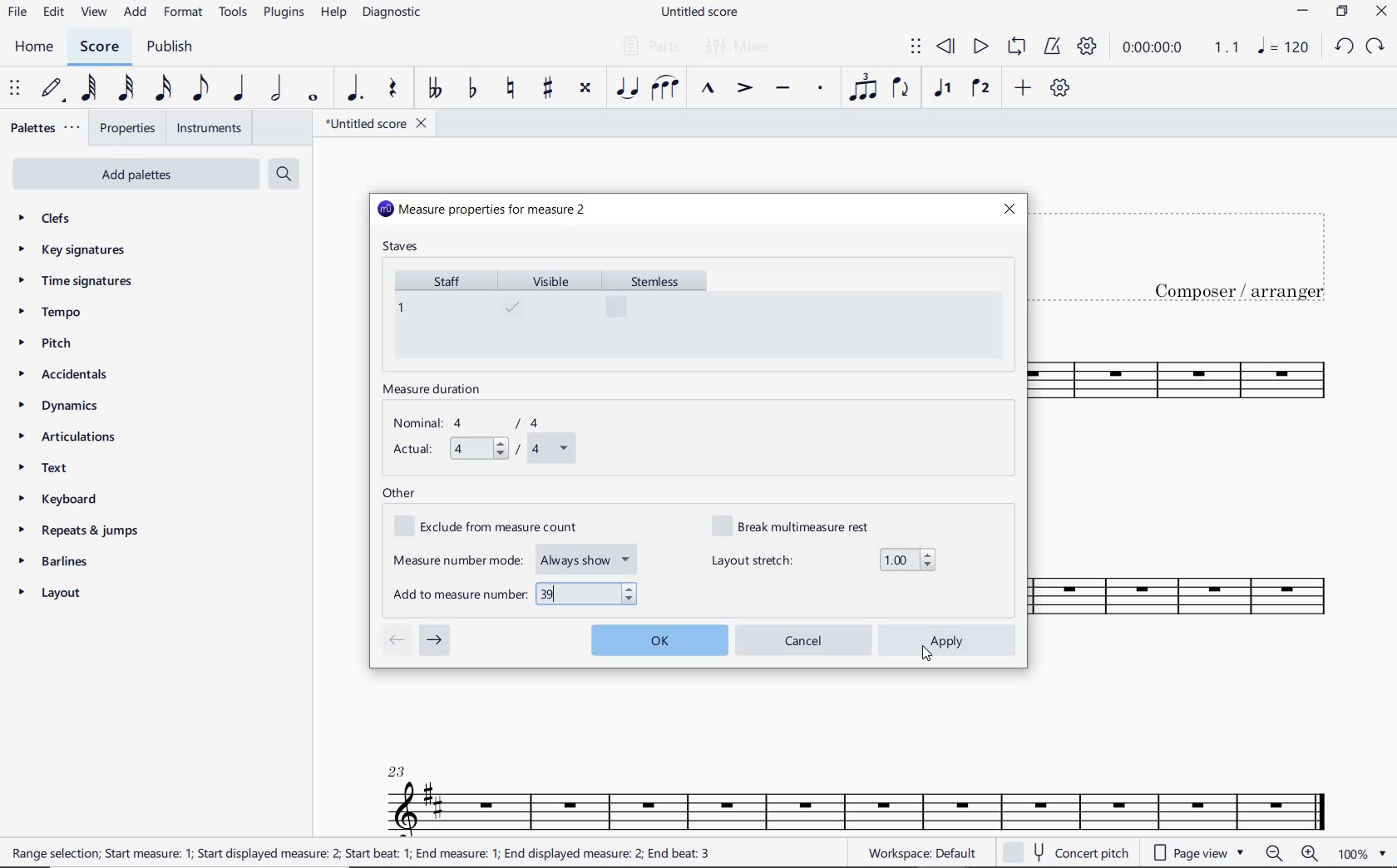 This screenshot has width=1397, height=868. Describe the element at coordinates (185, 13) in the screenshot. I see `FORMAT` at that location.